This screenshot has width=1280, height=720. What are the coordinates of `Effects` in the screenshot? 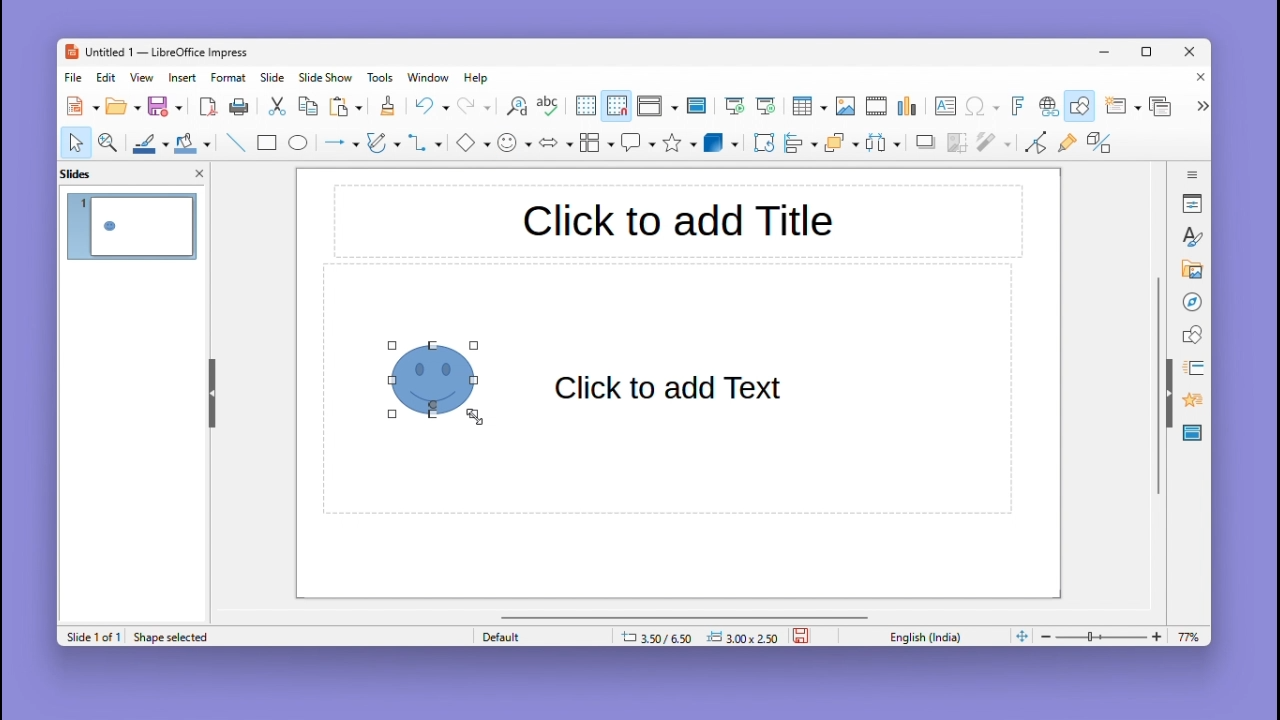 It's located at (1190, 403).